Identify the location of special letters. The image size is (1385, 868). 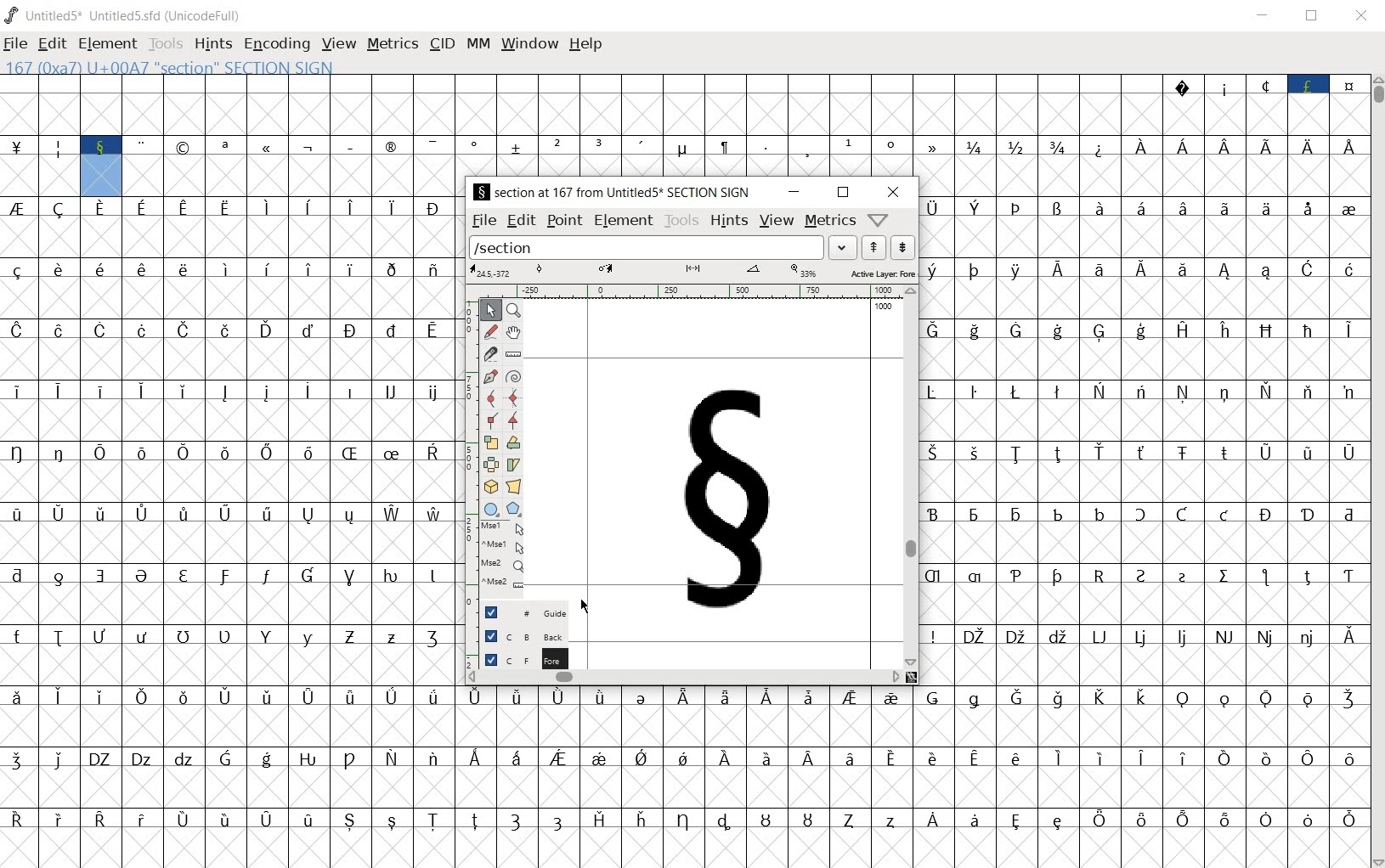
(687, 757).